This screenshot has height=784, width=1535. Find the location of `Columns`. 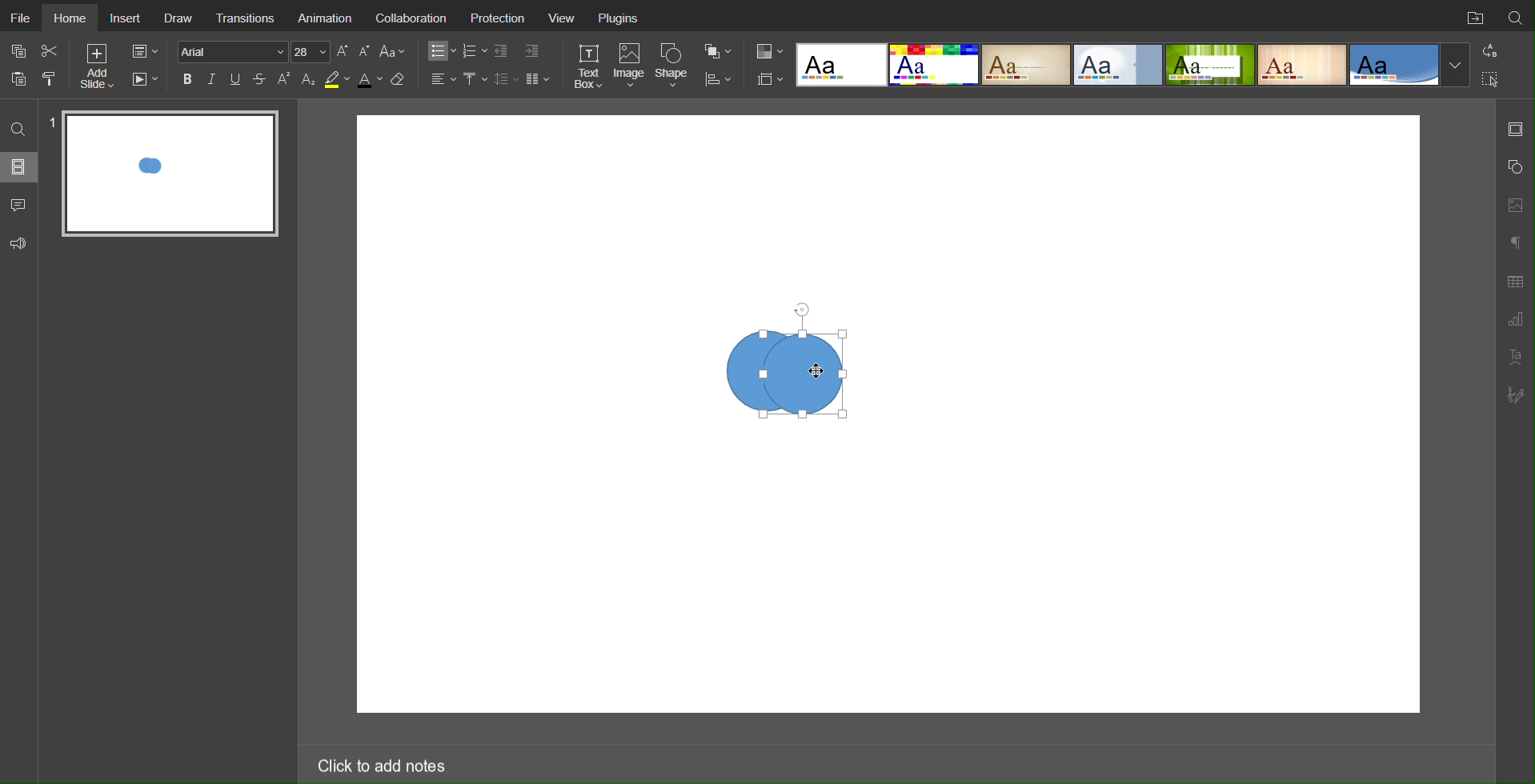

Columns is located at coordinates (539, 78).